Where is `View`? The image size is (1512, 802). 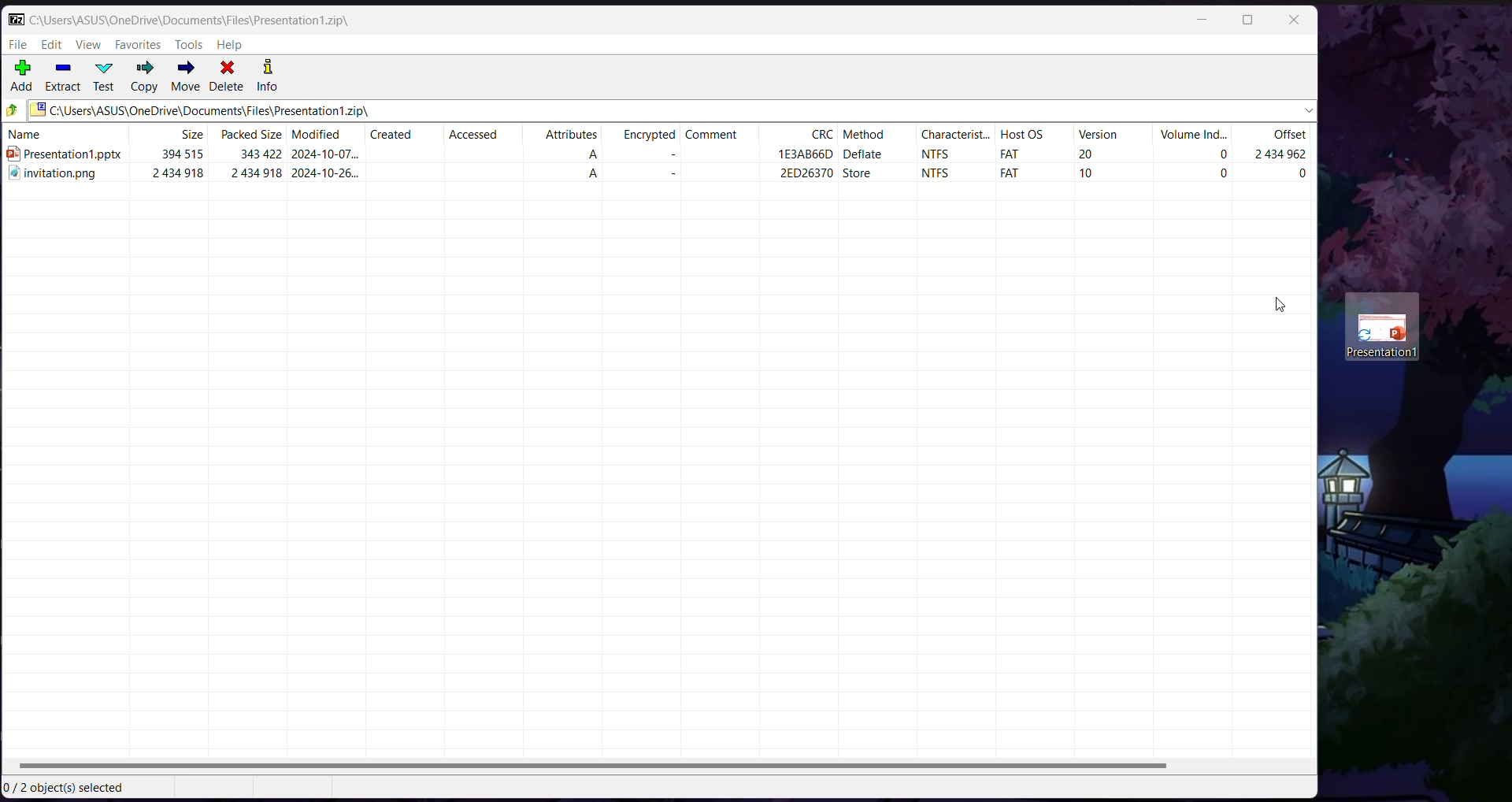
View is located at coordinates (91, 45).